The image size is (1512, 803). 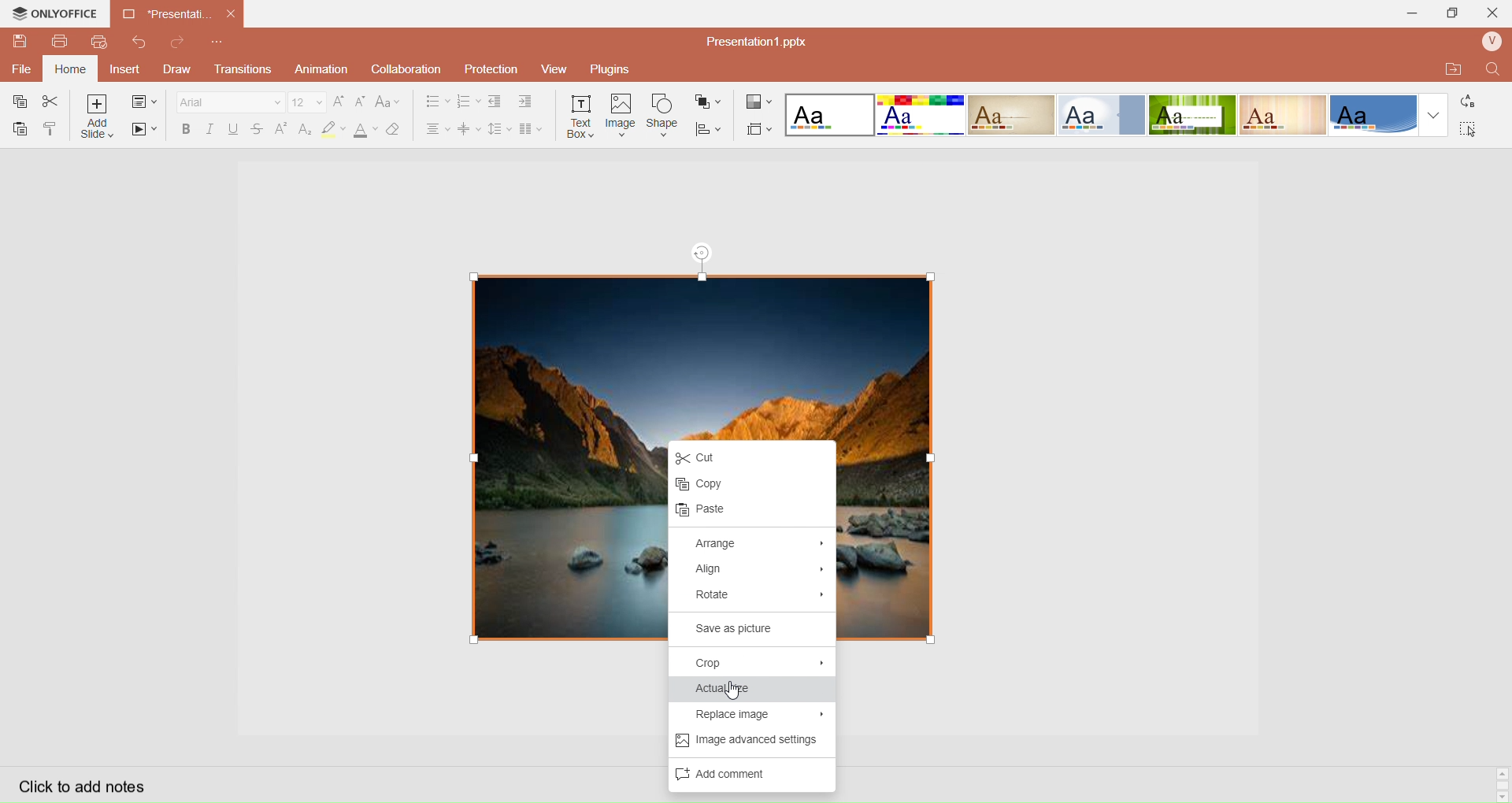 I want to click on Home, so click(x=71, y=70).